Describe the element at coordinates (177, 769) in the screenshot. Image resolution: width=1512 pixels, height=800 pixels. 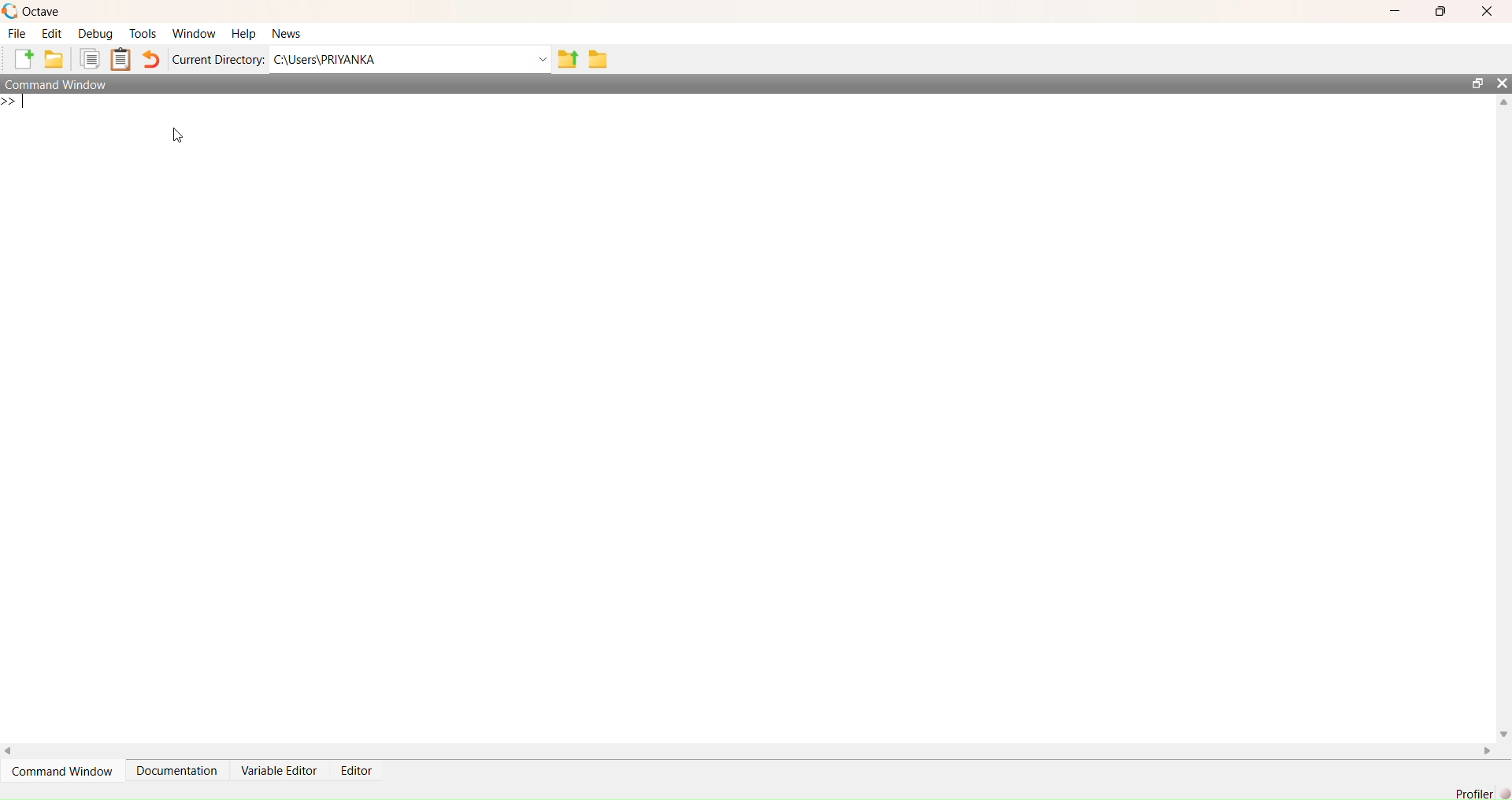
I see `Documentation` at that location.